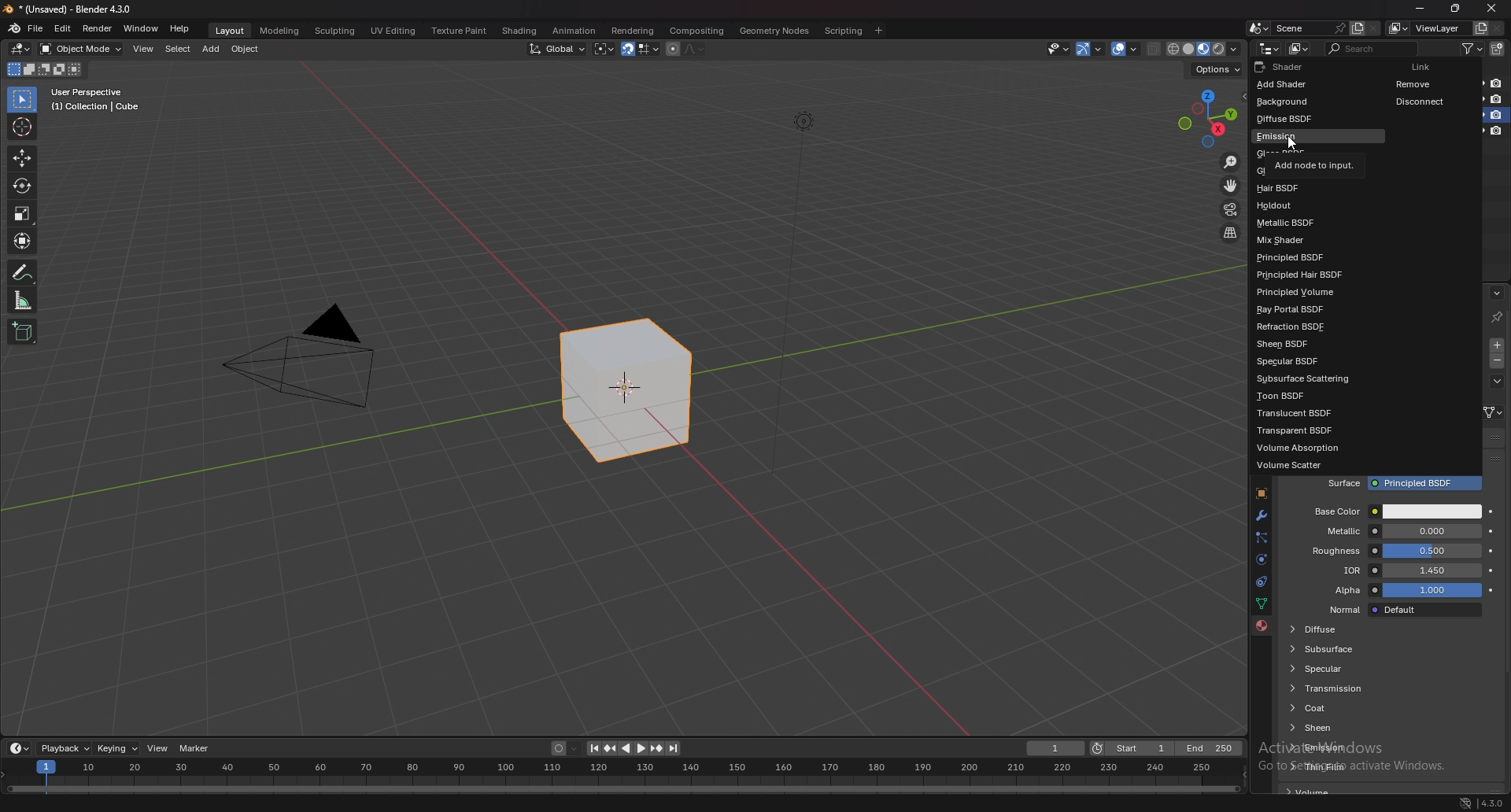  I want to click on subsurface, so click(1342, 648).